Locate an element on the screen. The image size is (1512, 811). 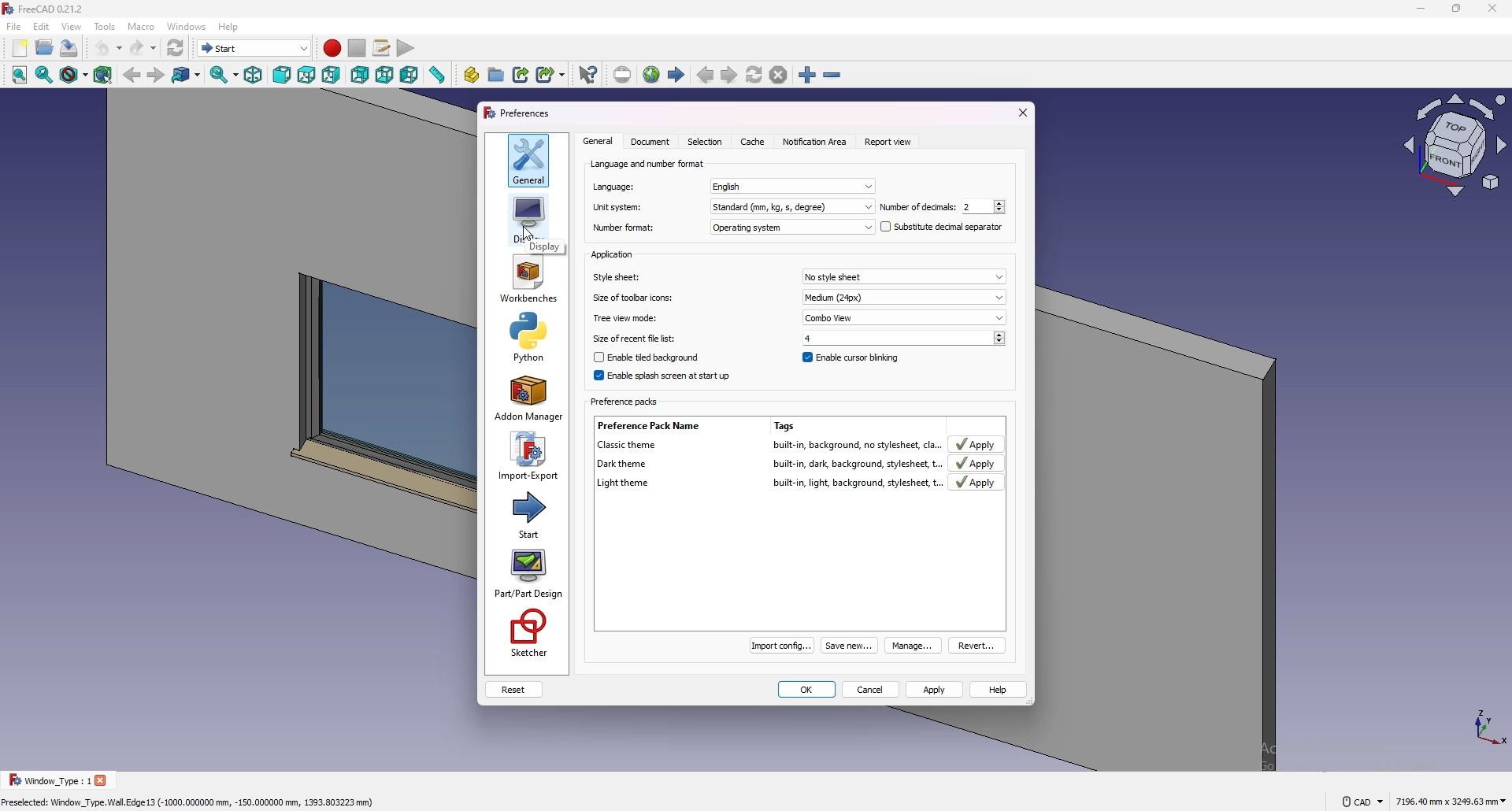
go to link object is located at coordinates (187, 76).